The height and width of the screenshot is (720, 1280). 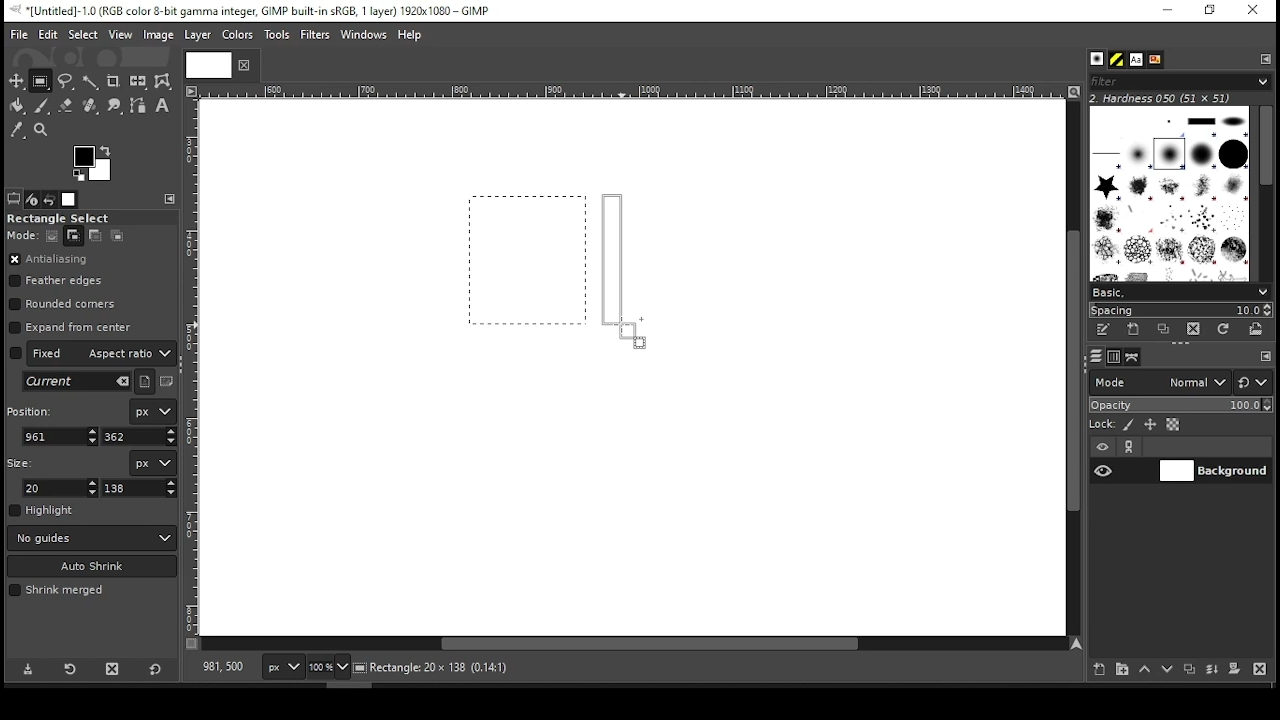 I want to click on tools, so click(x=279, y=36).